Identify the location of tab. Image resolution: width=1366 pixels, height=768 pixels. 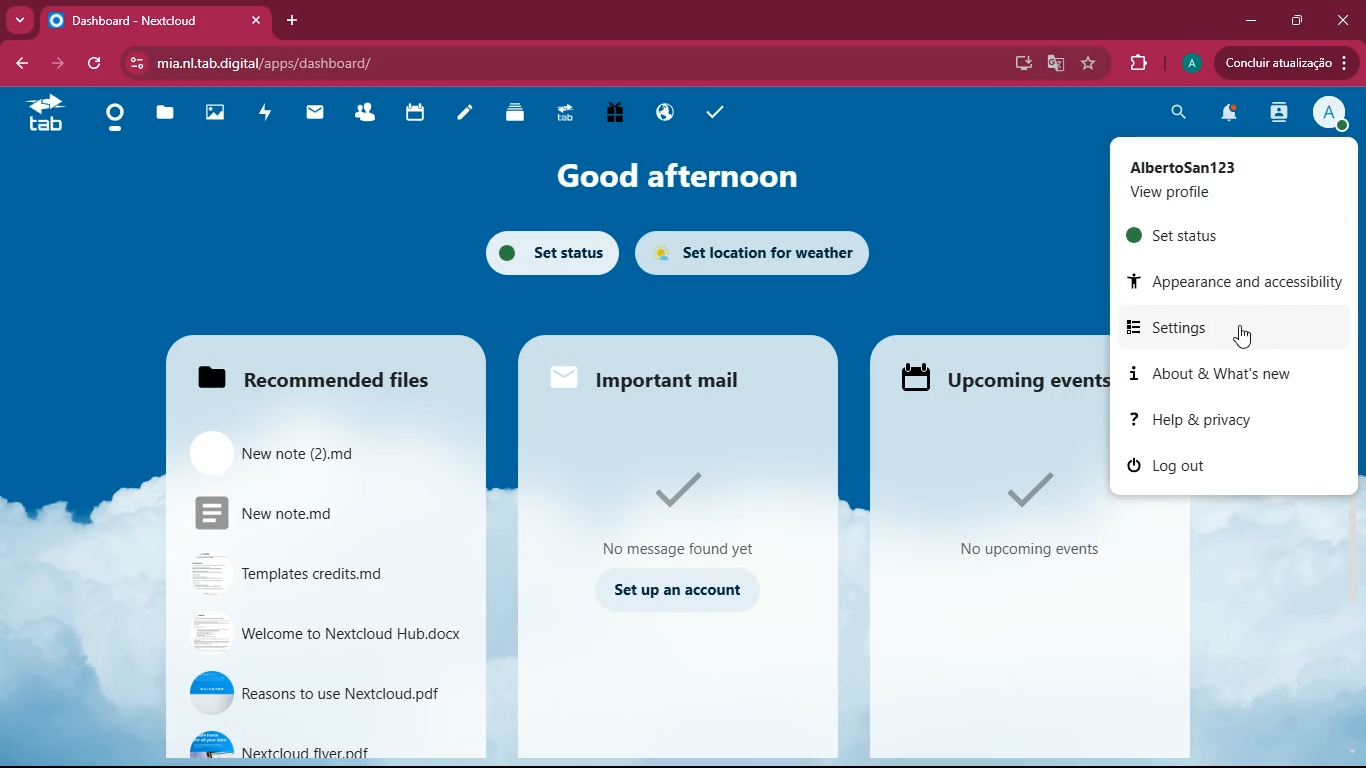
(45, 115).